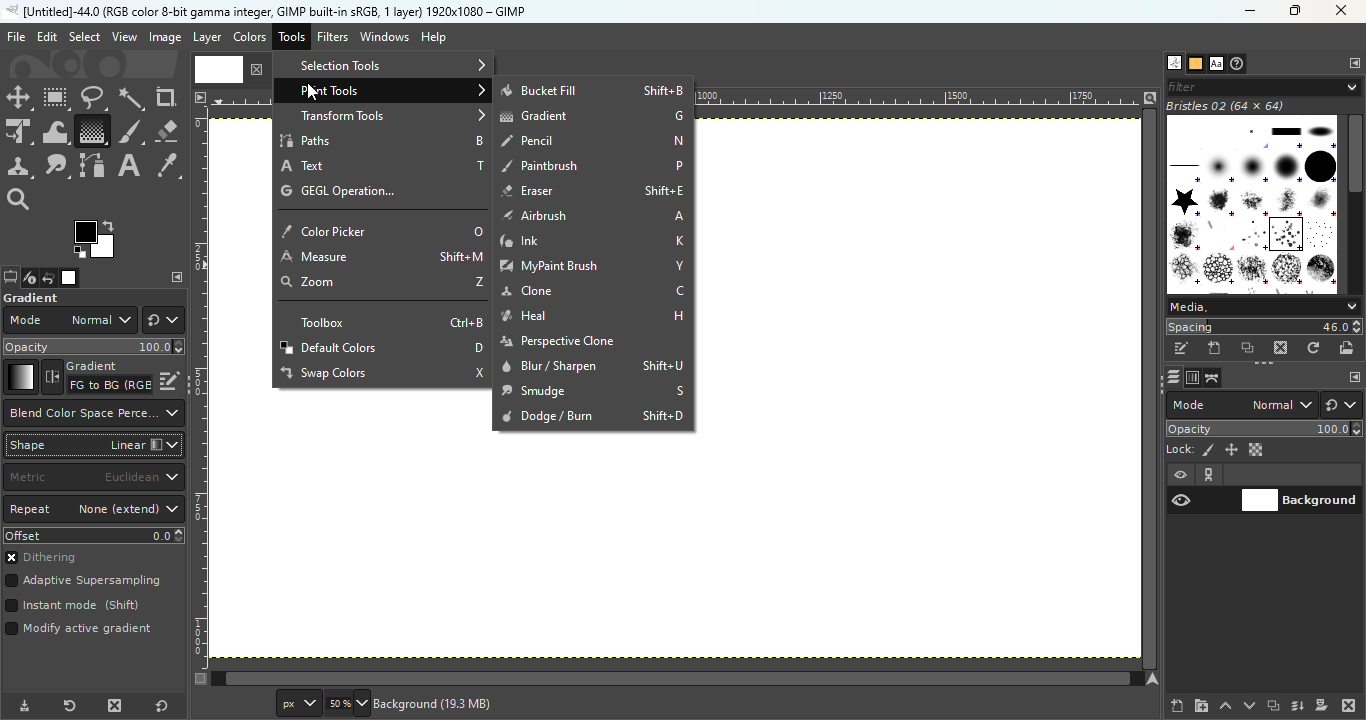  What do you see at coordinates (93, 478) in the screenshot?
I see `Matric to the use for the distance calculation` at bounding box center [93, 478].